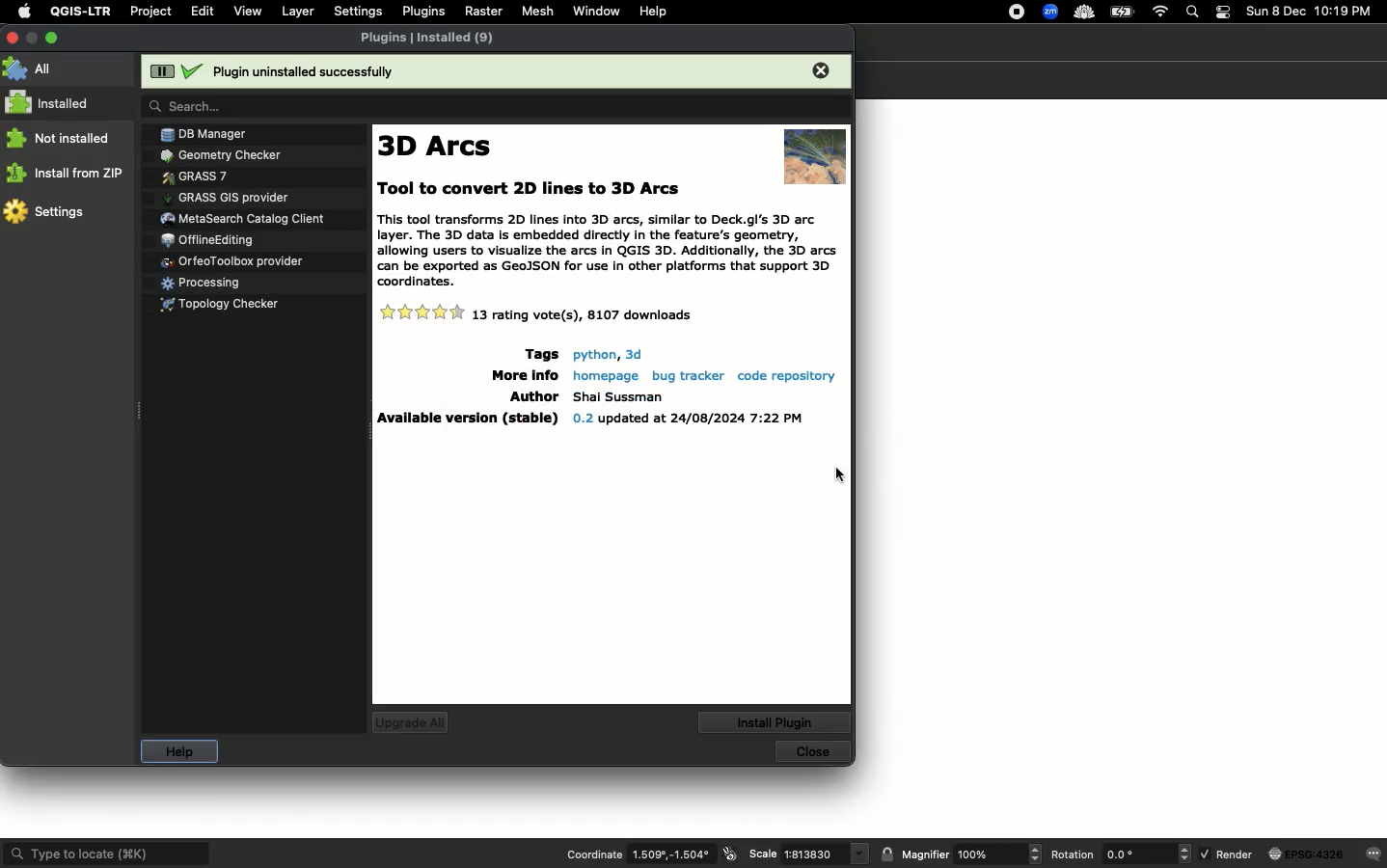  I want to click on Help, so click(655, 10).